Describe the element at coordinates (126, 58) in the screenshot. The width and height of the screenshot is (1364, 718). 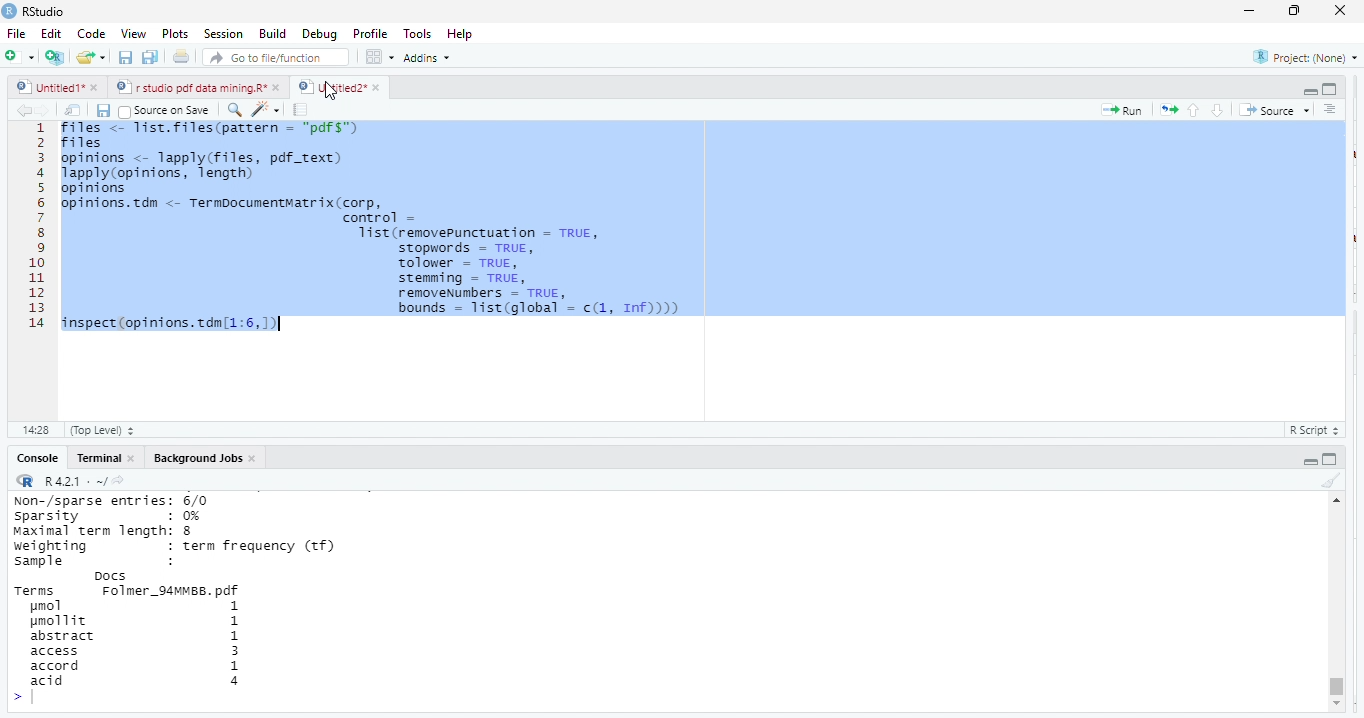
I see `save current document` at that location.